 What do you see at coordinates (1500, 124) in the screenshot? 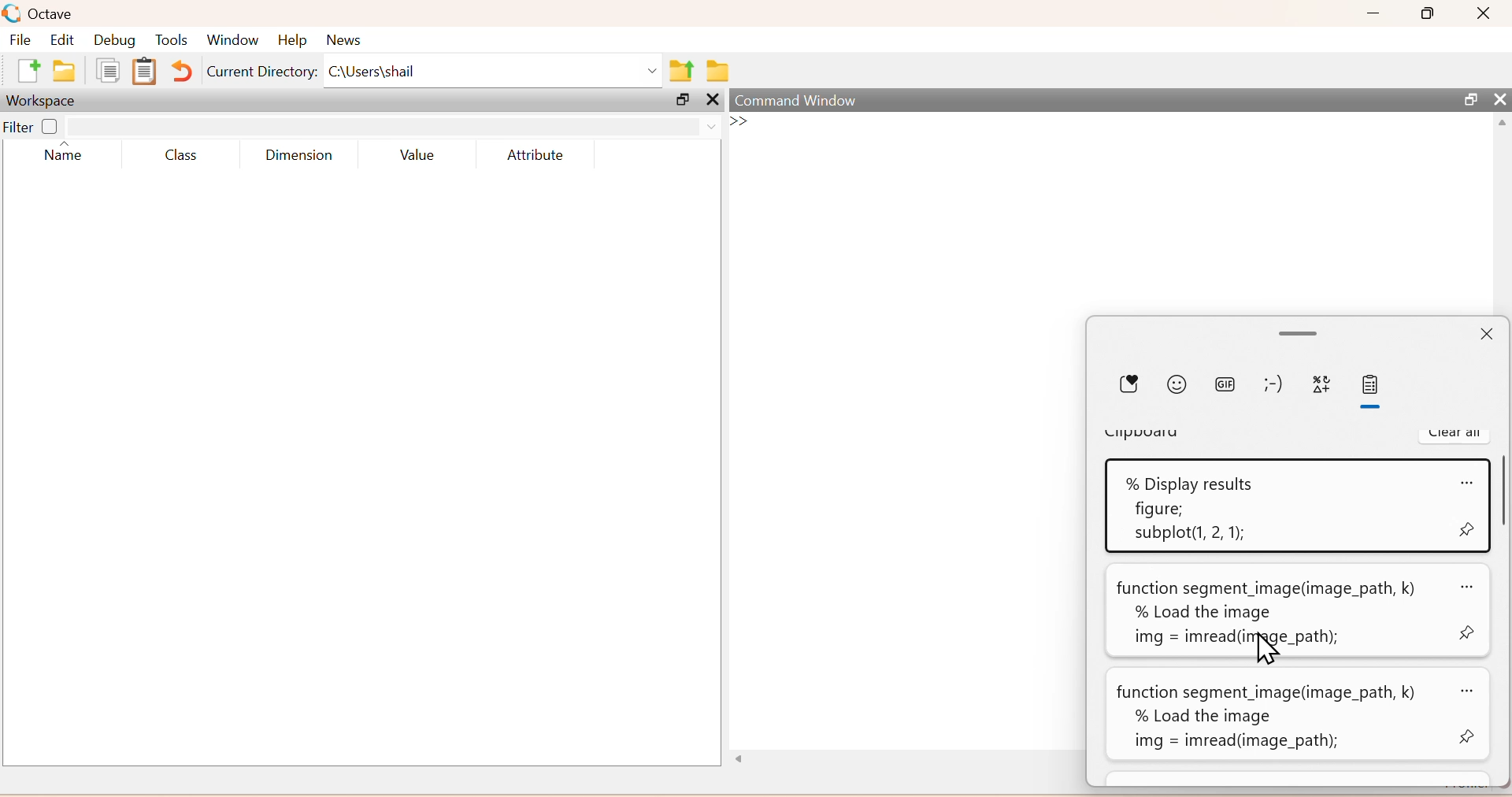
I see `scroll up` at bounding box center [1500, 124].